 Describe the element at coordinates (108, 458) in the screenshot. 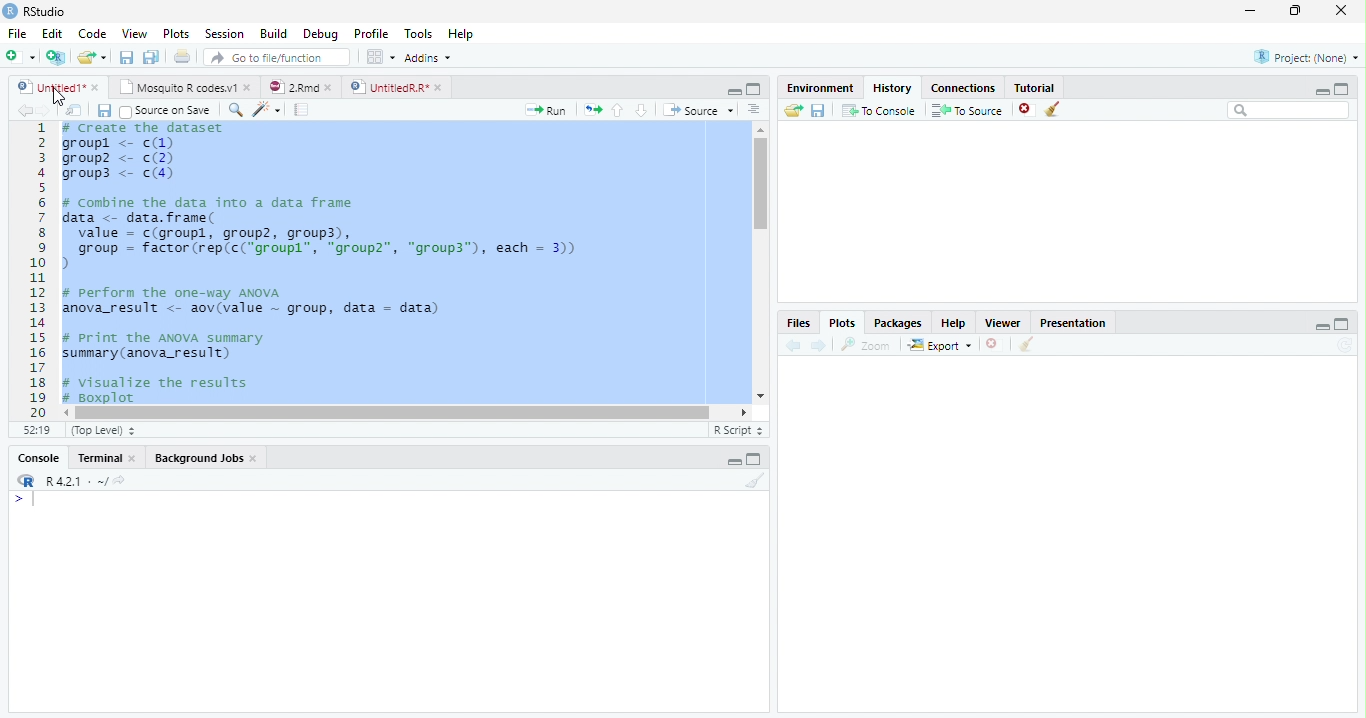

I see `Terminal` at that location.